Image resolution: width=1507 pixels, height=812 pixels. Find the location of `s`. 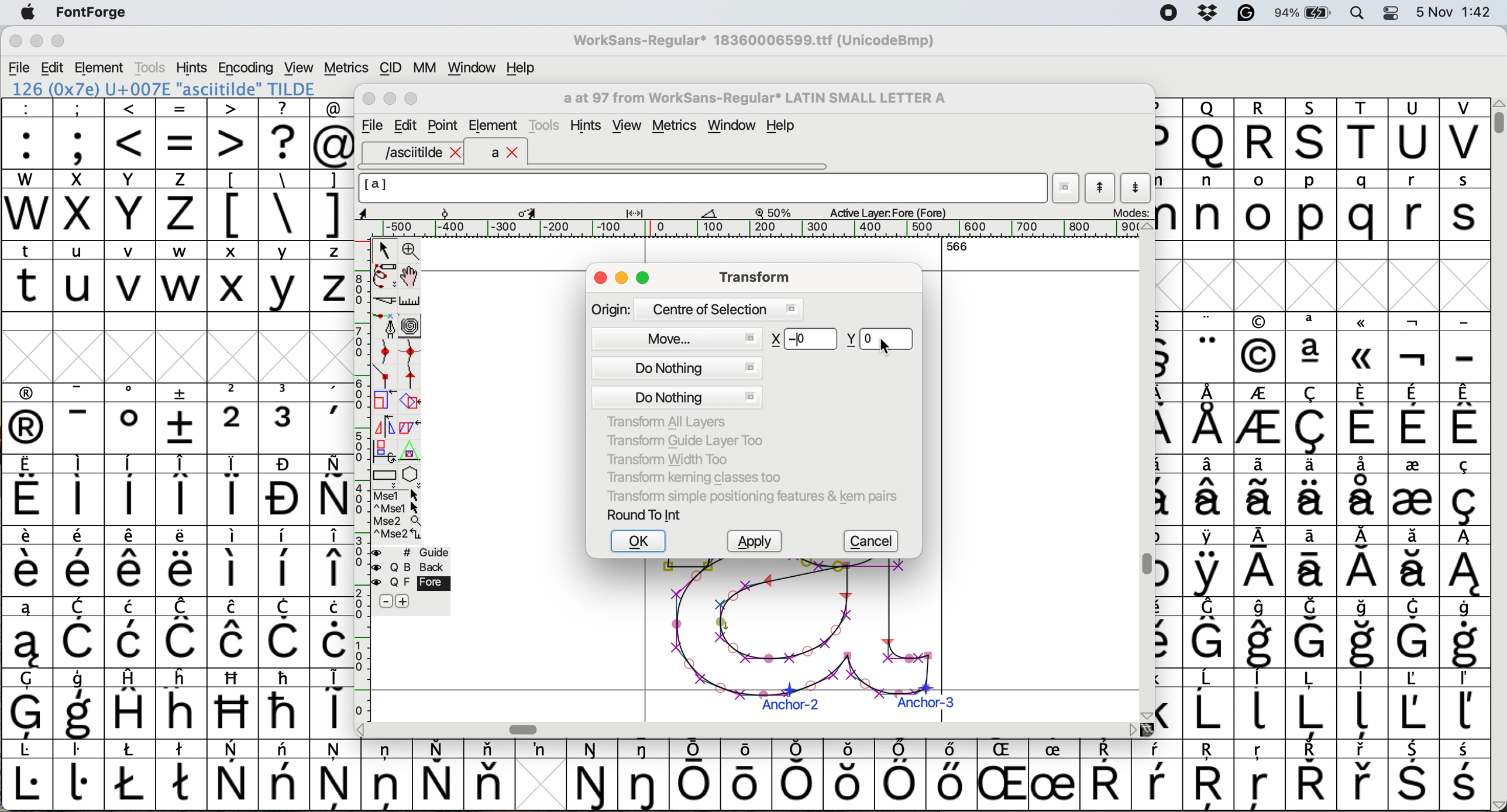

s is located at coordinates (1465, 205).